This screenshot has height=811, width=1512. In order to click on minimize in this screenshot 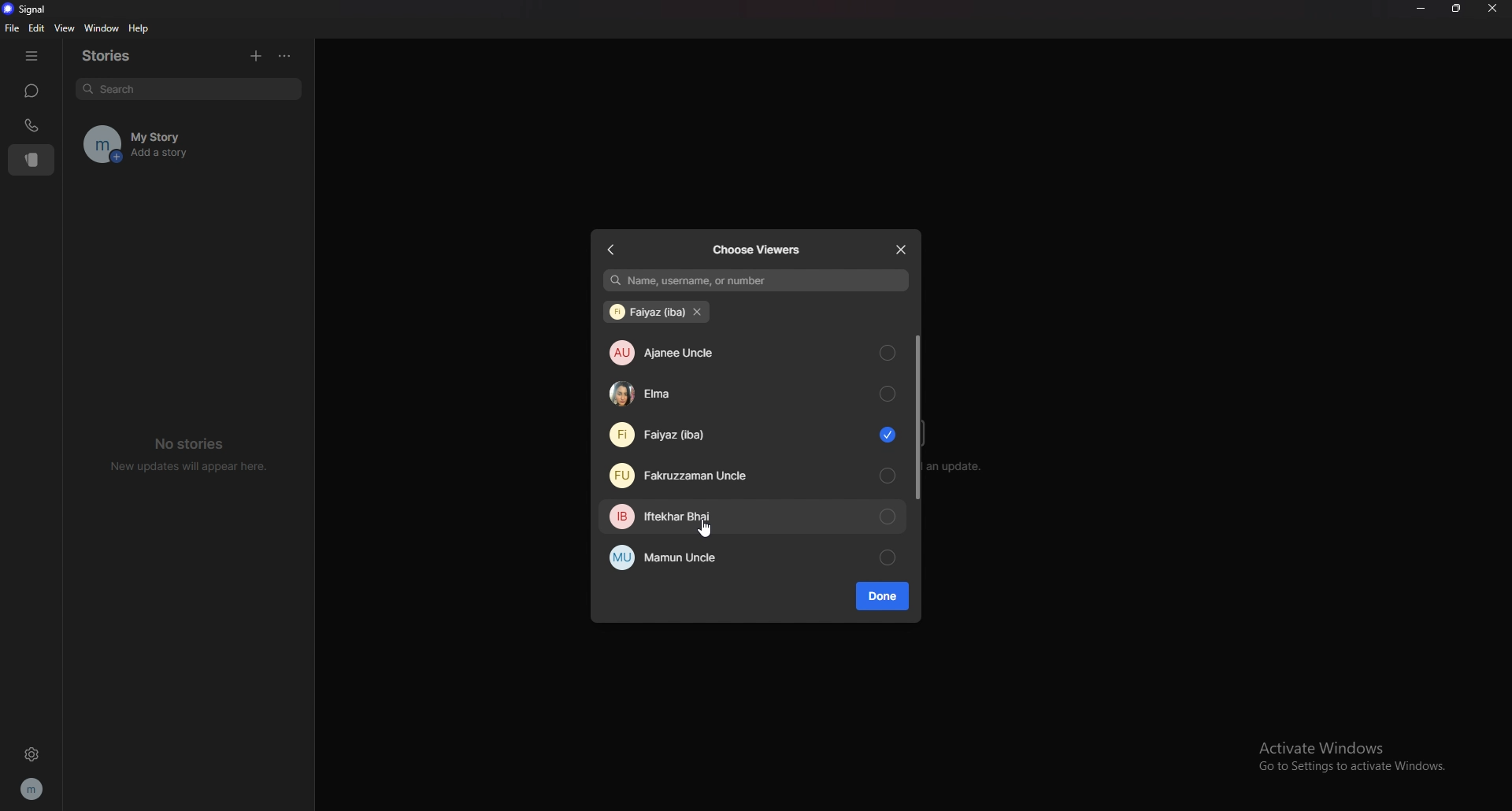, I will do `click(1421, 9)`.